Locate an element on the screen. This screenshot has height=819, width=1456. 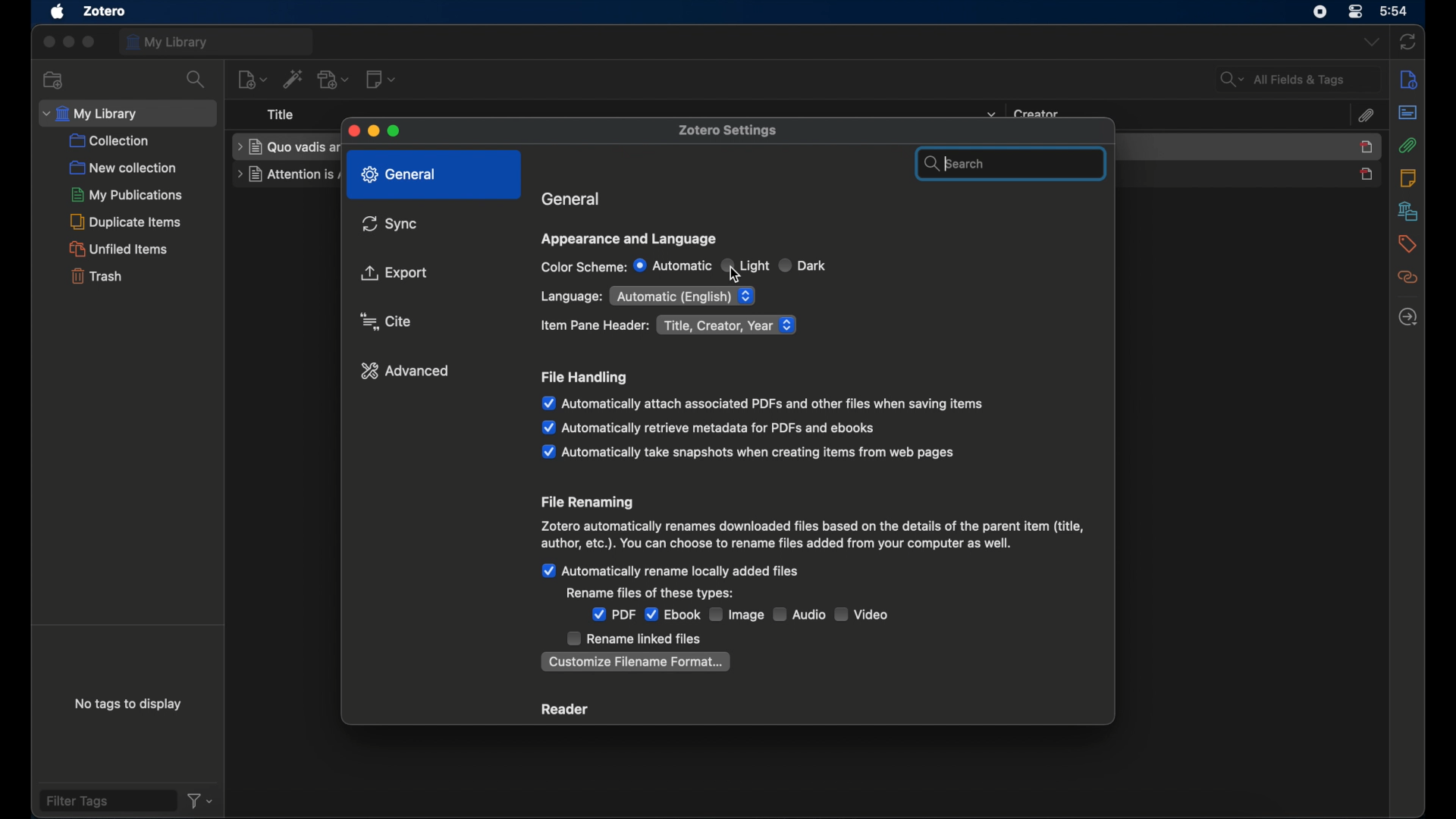
appearance and language is located at coordinates (630, 240).